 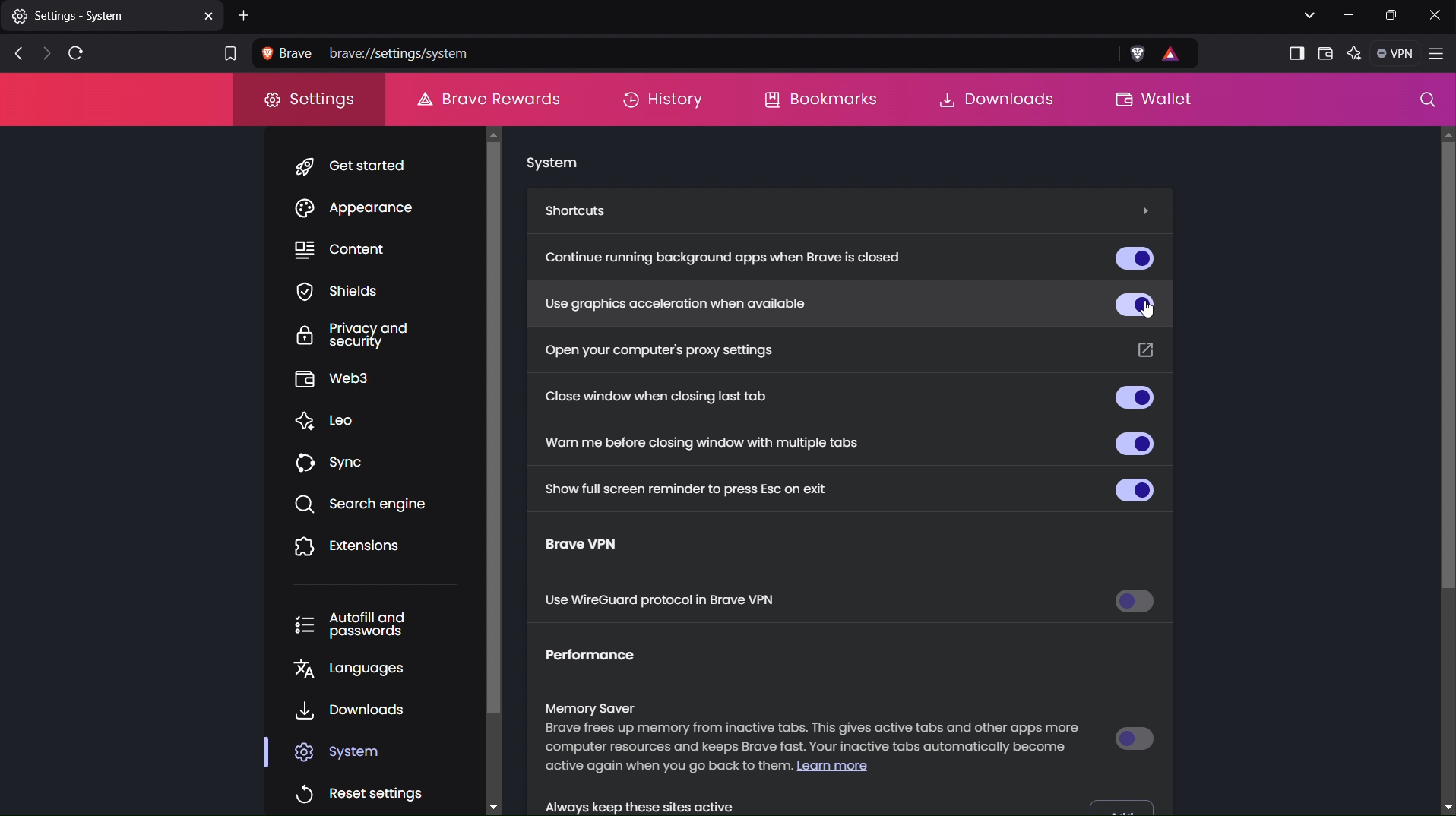 What do you see at coordinates (358, 166) in the screenshot?
I see `Get started` at bounding box center [358, 166].